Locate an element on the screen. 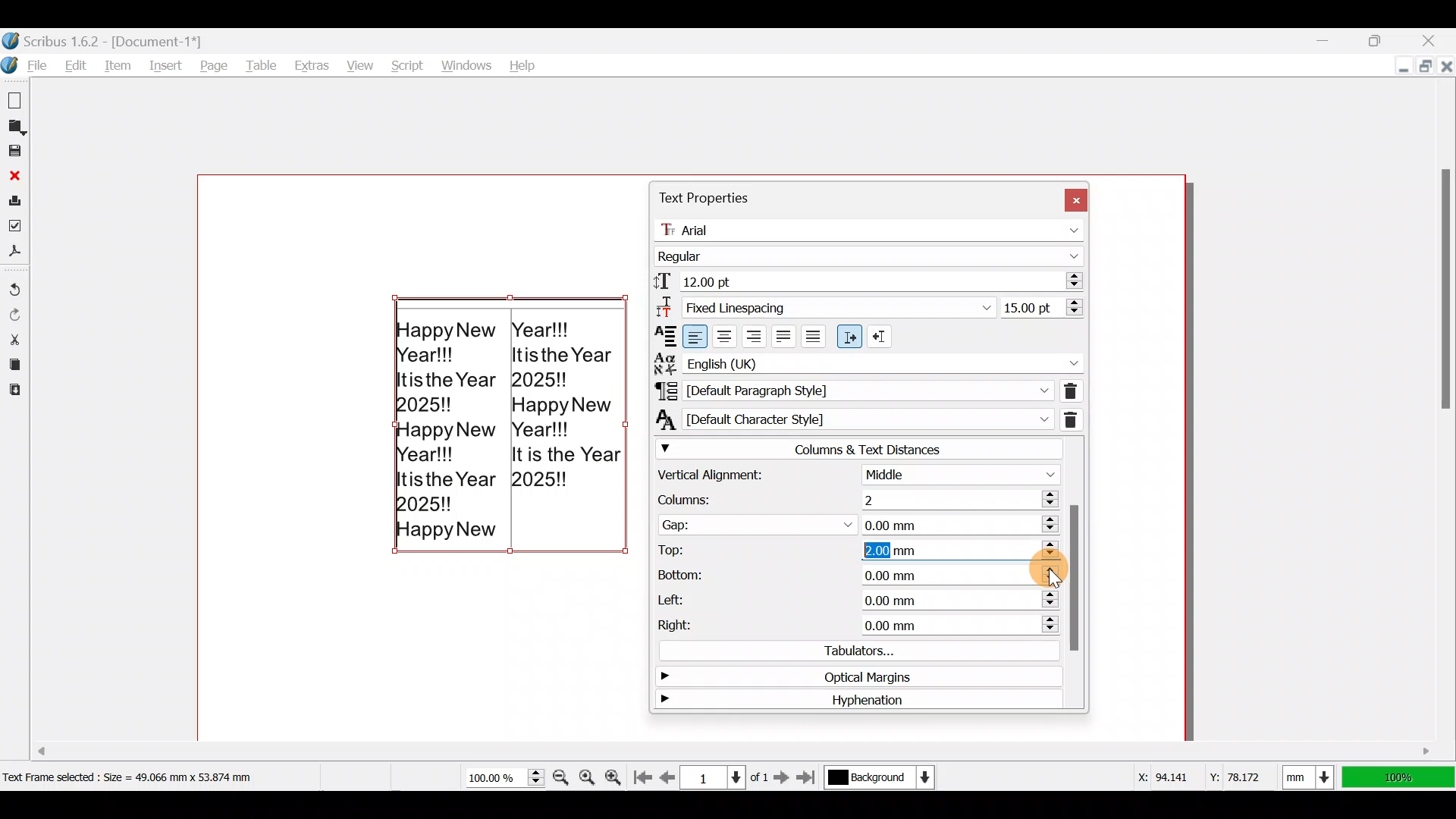 This screenshot has height=819, width=1456. Select current units is located at coordinates (1312, 774).